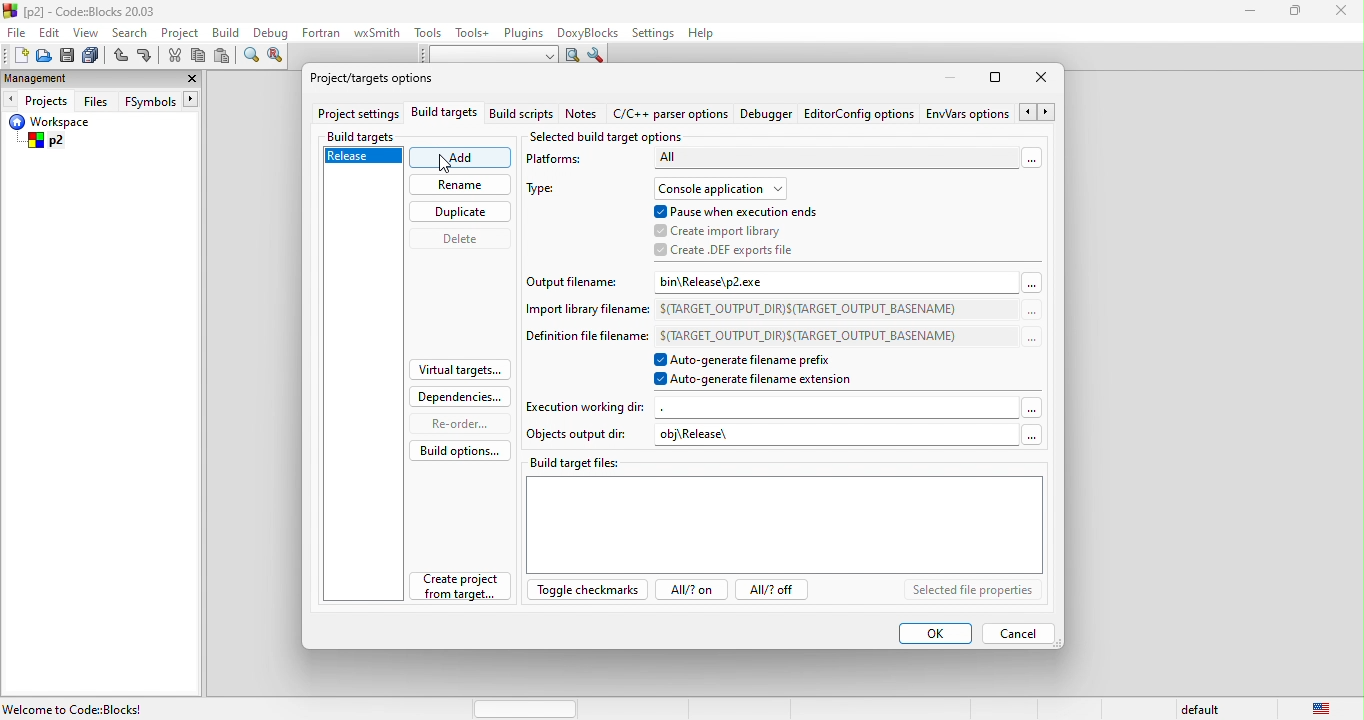 Image resolution: width=1364 pixels, height=720 pixels. What do you see at coordinates (782, 516) in the screenshot?
I see `build target file` at bounding box center [782, 516].